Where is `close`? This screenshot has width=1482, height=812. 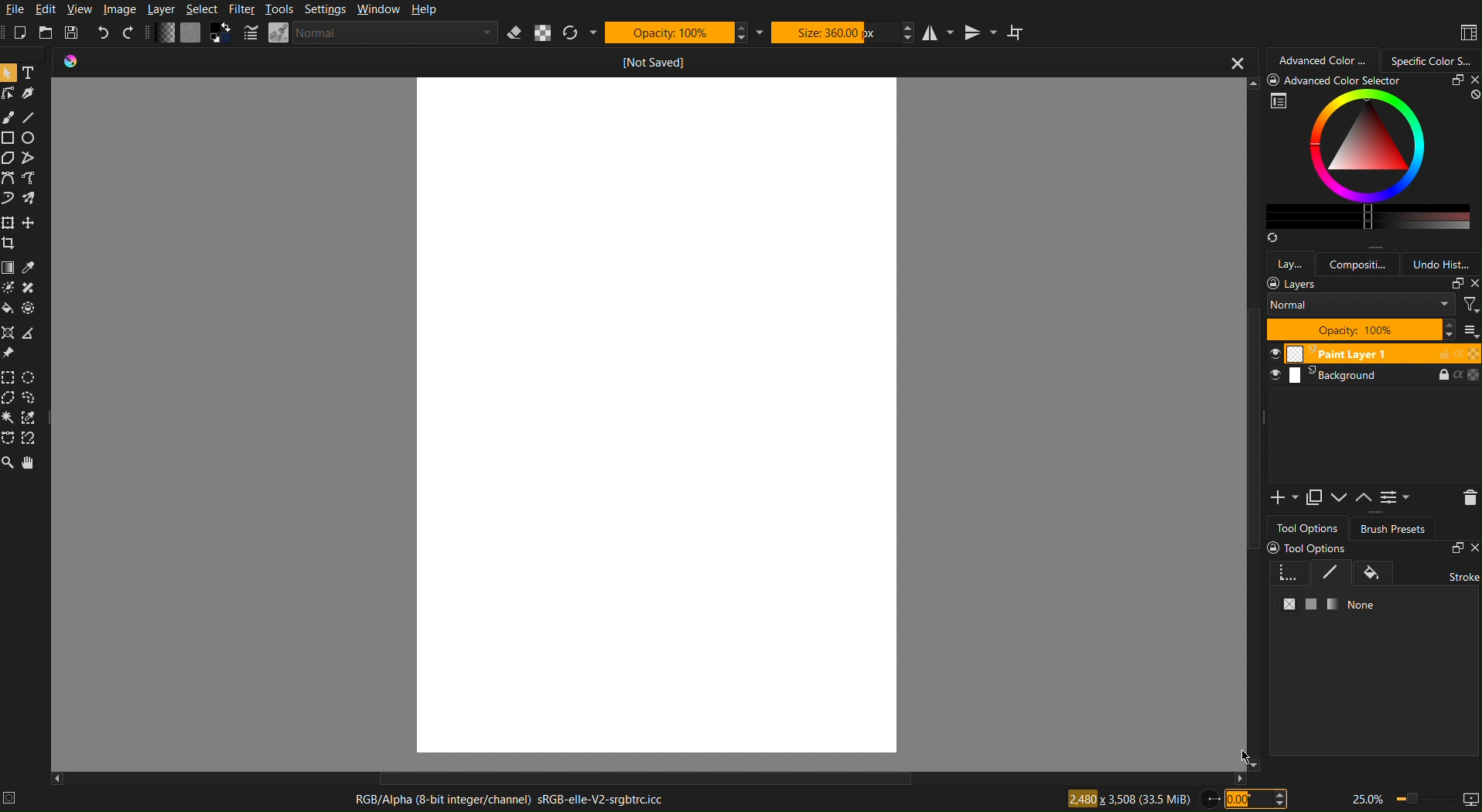
close is located at coordinates (1237, 62).